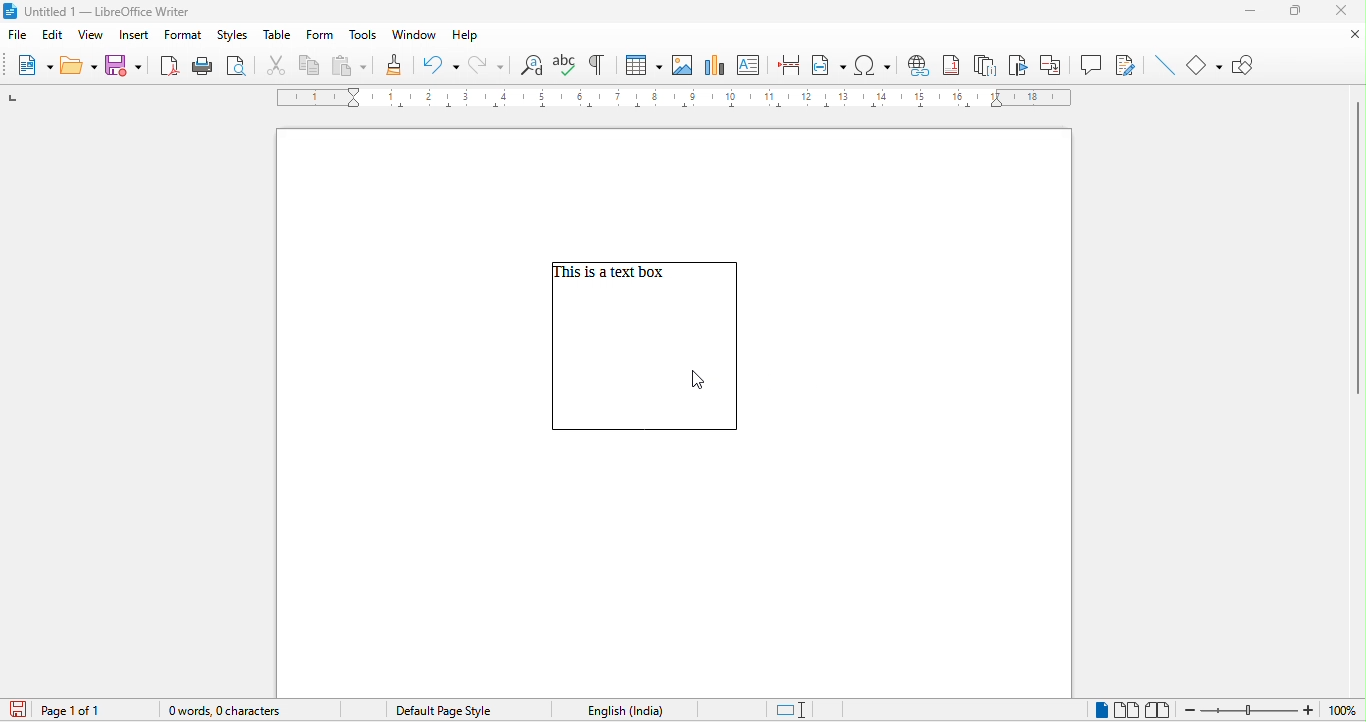  Describe the element at coordinates (748, 64) in the screenshot. I see `text box` at that location.